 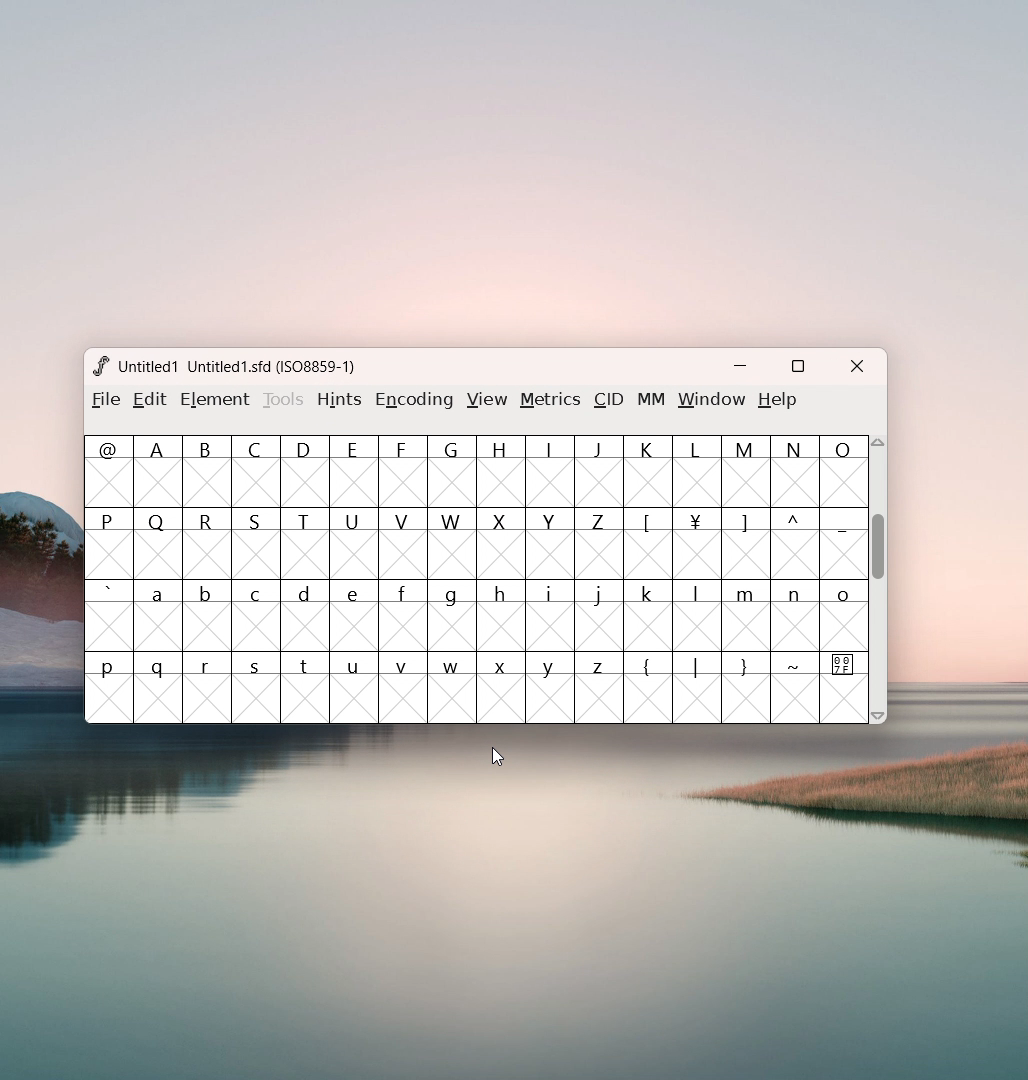 What do you see at coordinates (109, 472) in the screenshot?
I see `@` at bounding box center [109, 472].